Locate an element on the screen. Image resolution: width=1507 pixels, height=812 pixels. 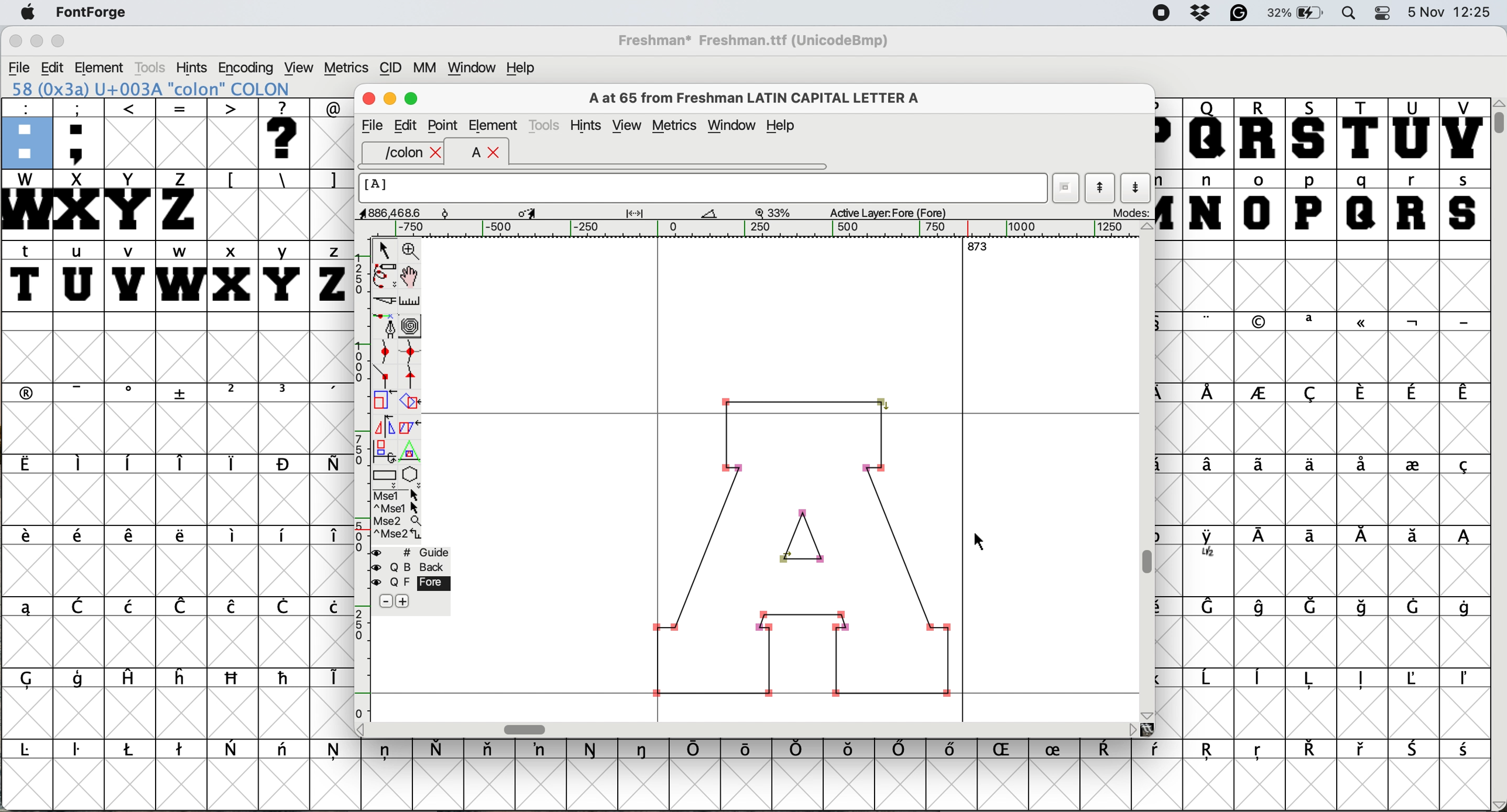
? is located at coordinates (287, 133).